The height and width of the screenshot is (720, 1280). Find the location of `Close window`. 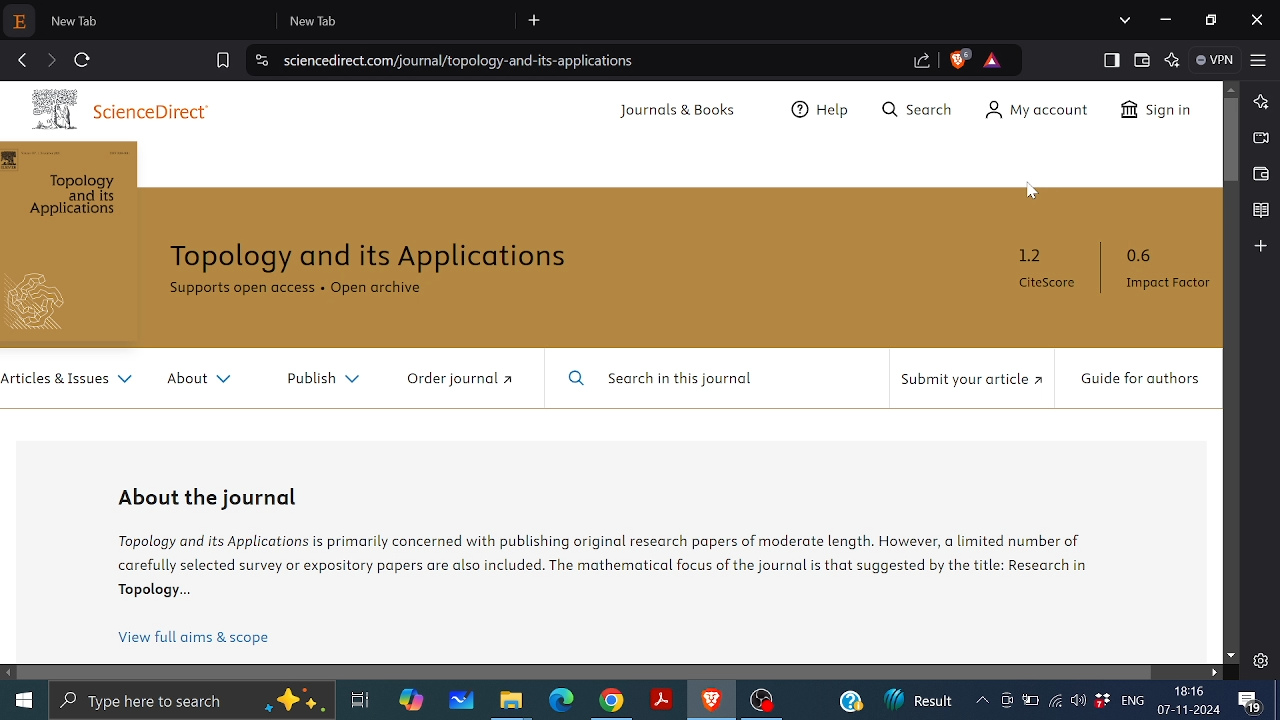

Close window is located at coordinates (1257, 19).